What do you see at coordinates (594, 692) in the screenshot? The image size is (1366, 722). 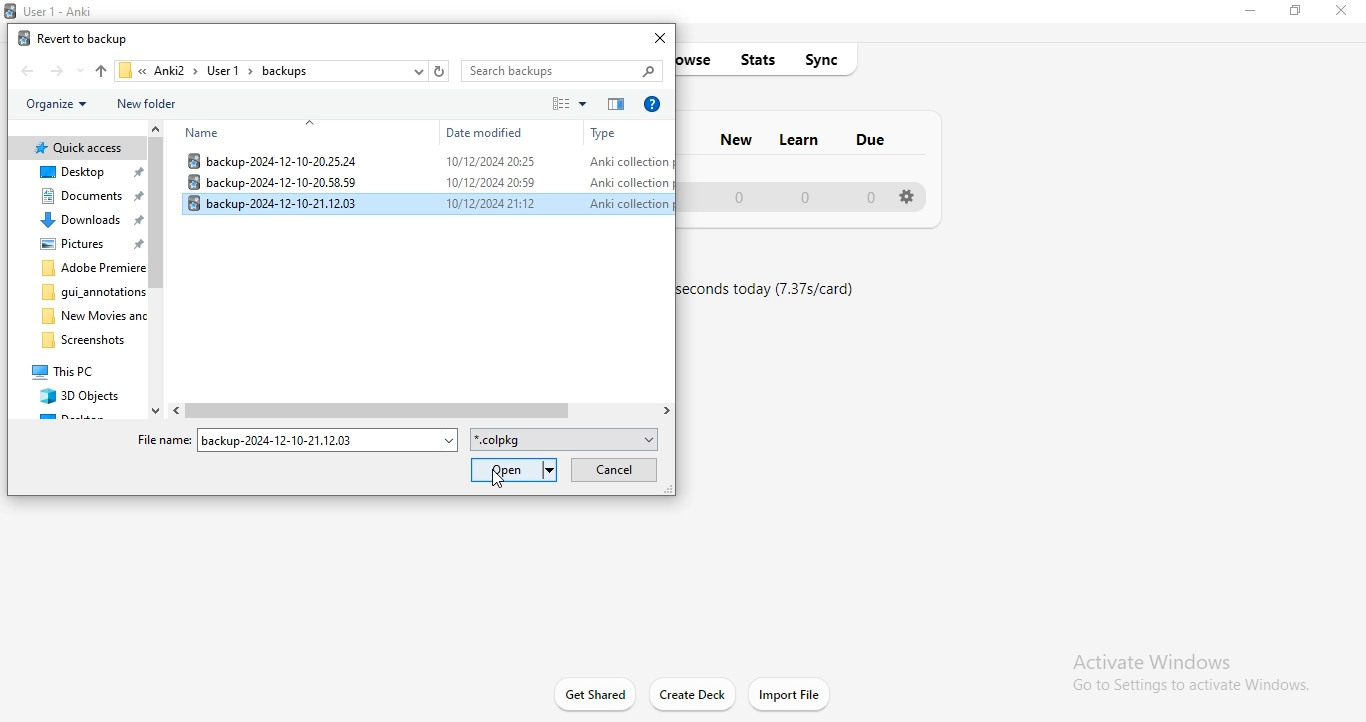 I see `get started` at bounding box center [594, 692].